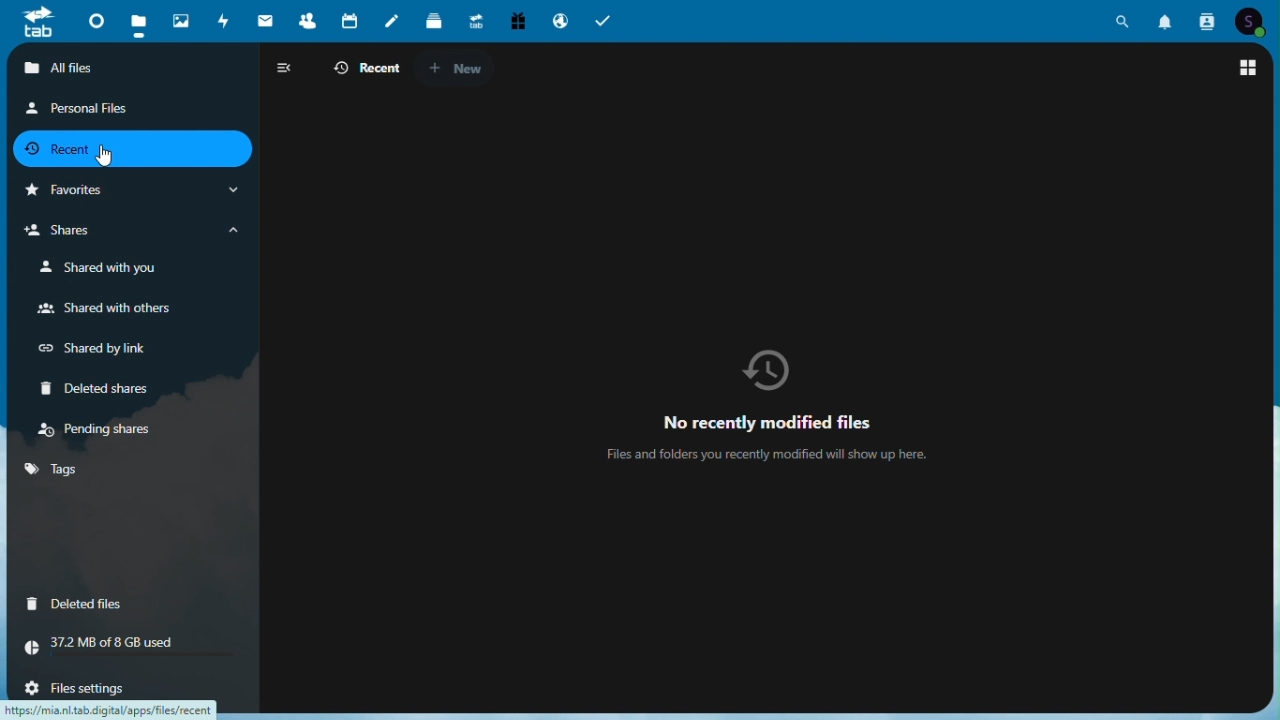 This screenshot has width=1280, height=720. Describe the element at coordinates (1126, 19) in the screenshot. I see `Search ` at that location.